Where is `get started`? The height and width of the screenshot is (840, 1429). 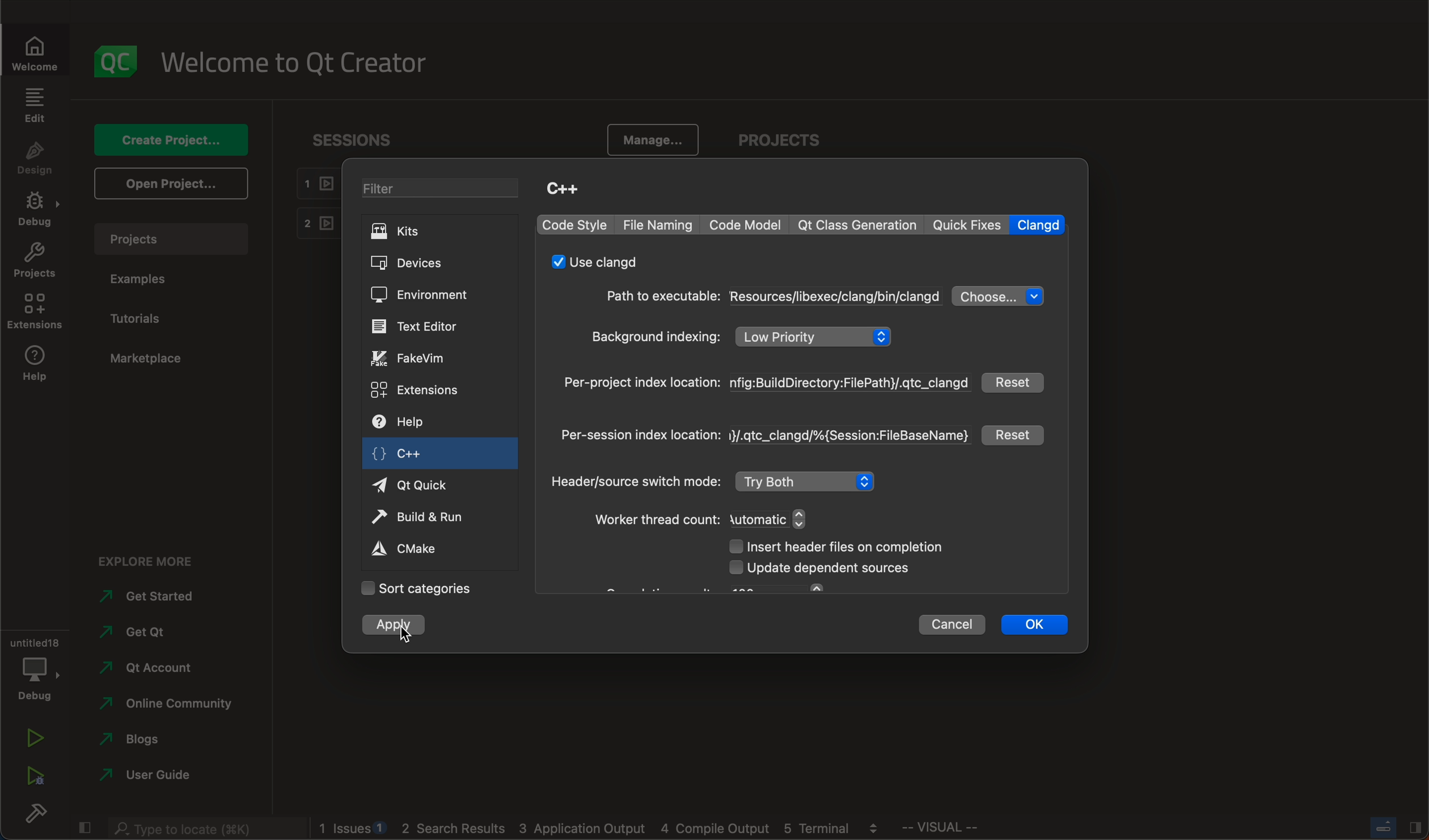
get started is located at coordinates (153, 596).